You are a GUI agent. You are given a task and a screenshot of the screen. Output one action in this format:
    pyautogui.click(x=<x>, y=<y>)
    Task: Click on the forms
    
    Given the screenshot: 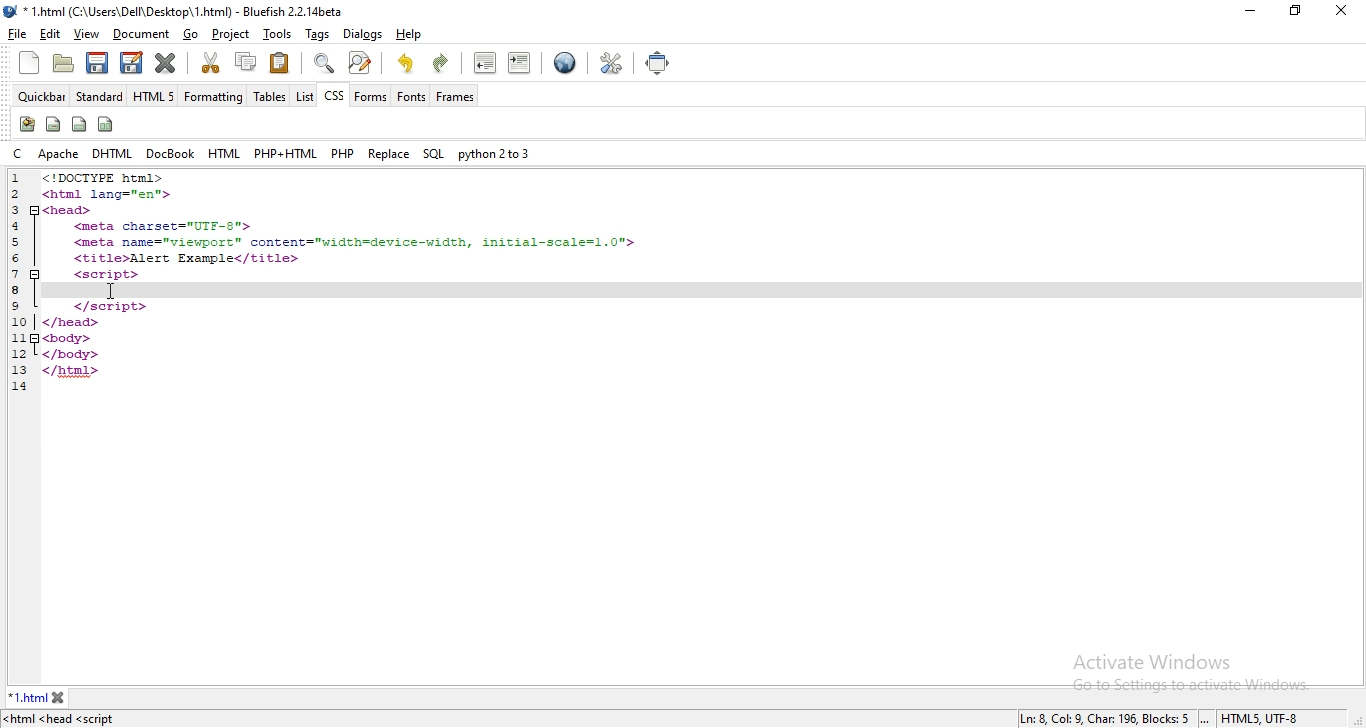 What is the action you would take?
    pyautogui.click(x=370, y=95)
    